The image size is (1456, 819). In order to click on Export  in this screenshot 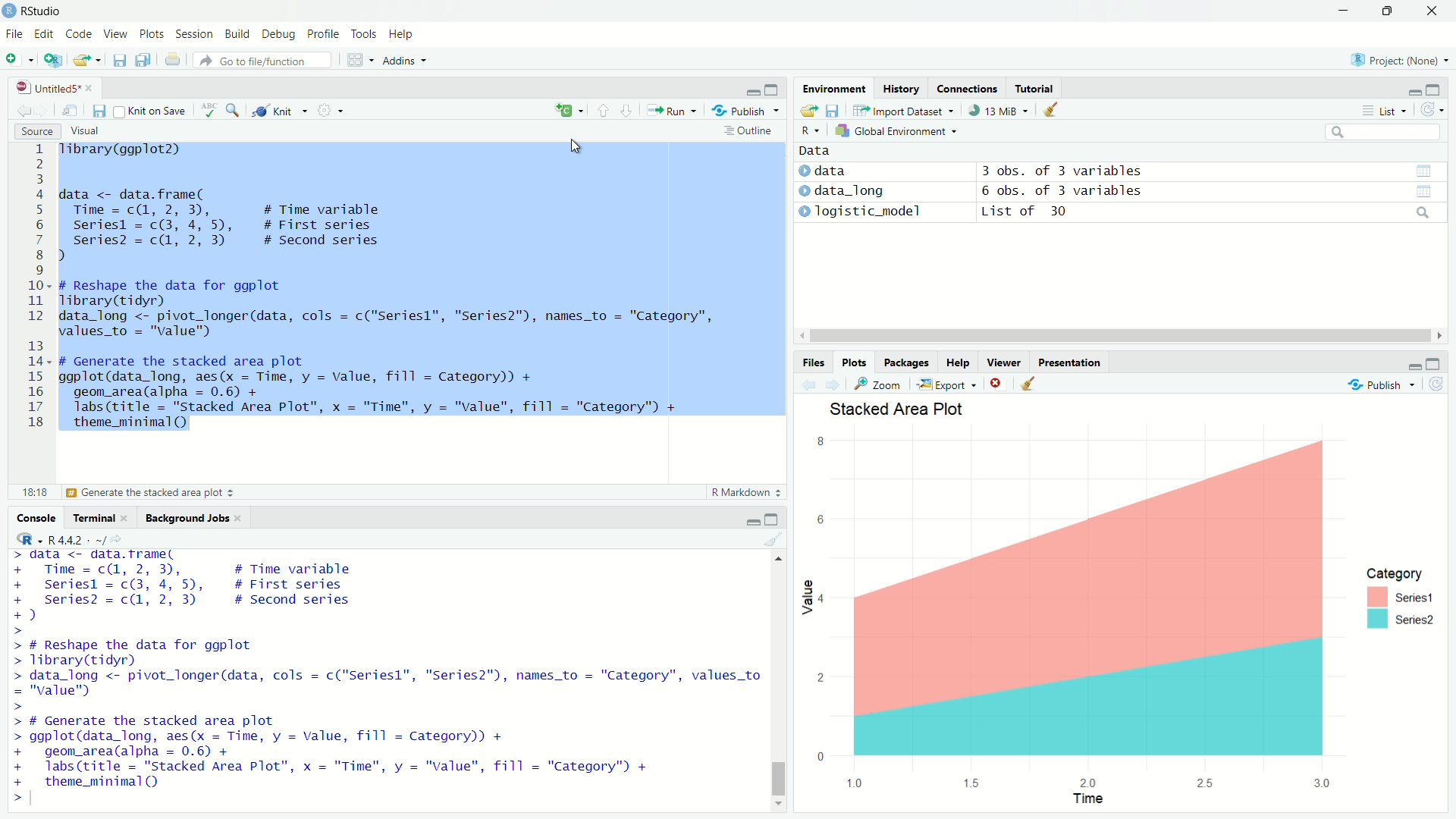, I will do `click(950, 385)`.